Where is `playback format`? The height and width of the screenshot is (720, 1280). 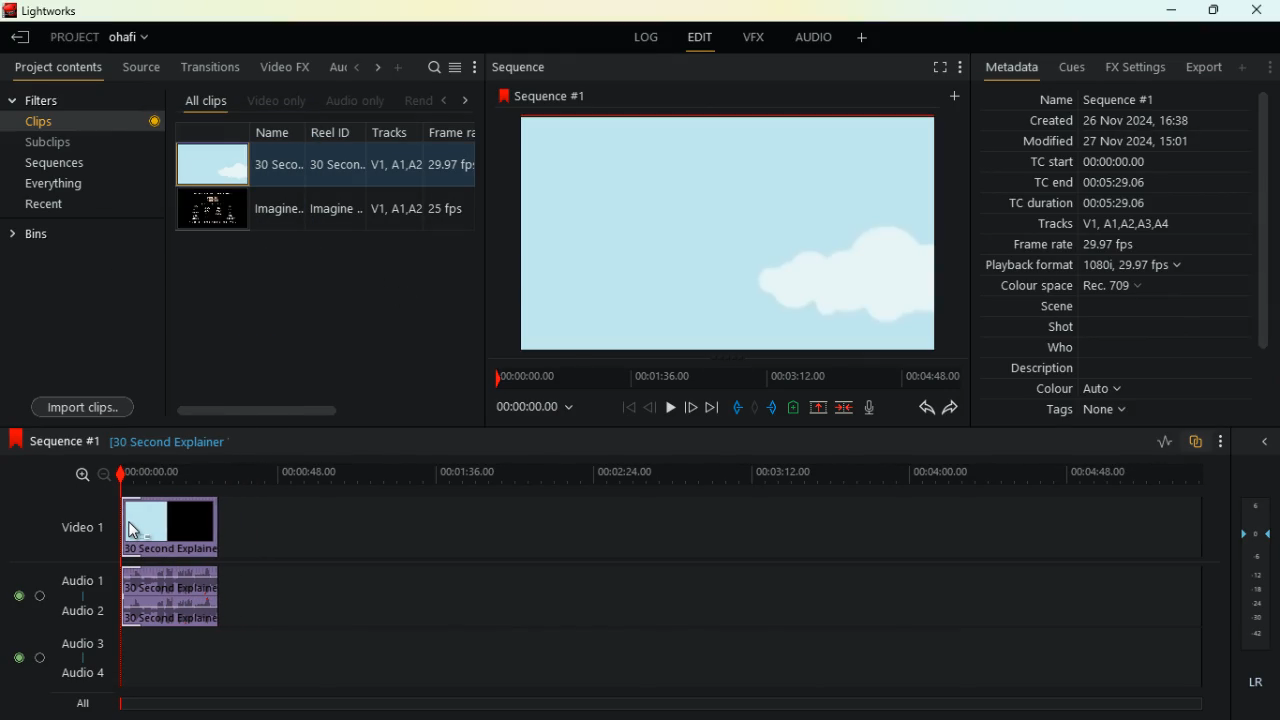
playback format is located at coordinates (1084, 267).